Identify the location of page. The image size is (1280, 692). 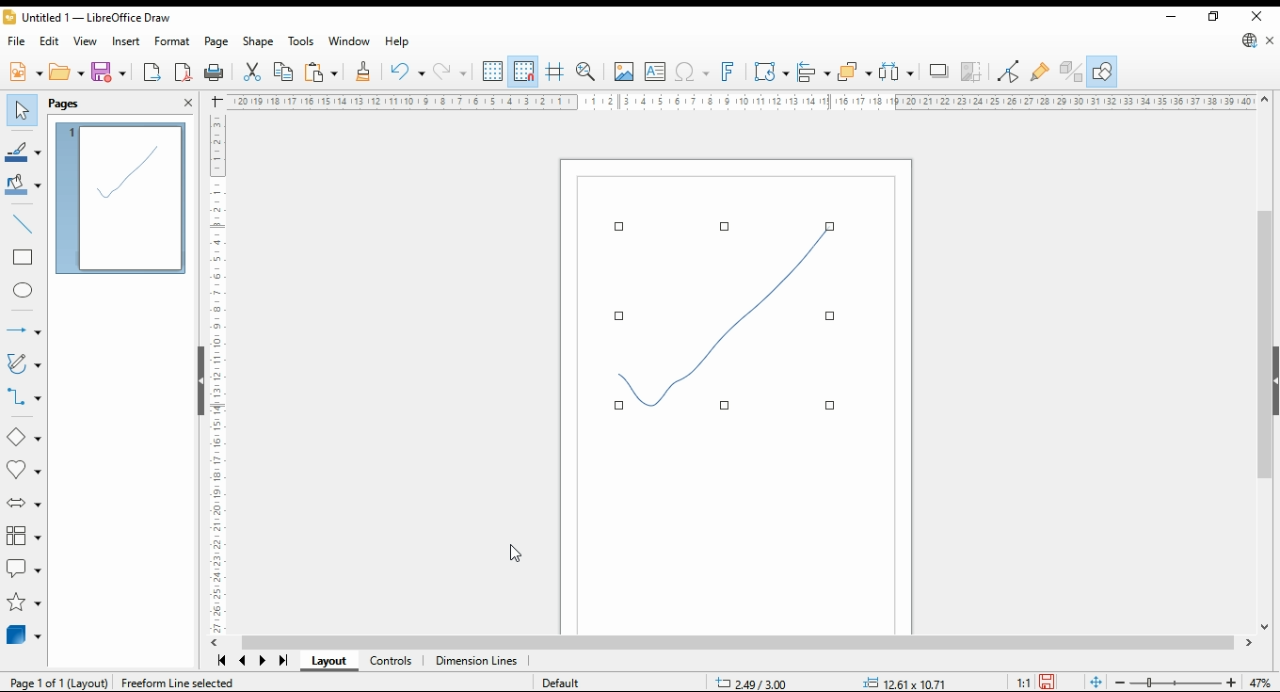
(216, 41).